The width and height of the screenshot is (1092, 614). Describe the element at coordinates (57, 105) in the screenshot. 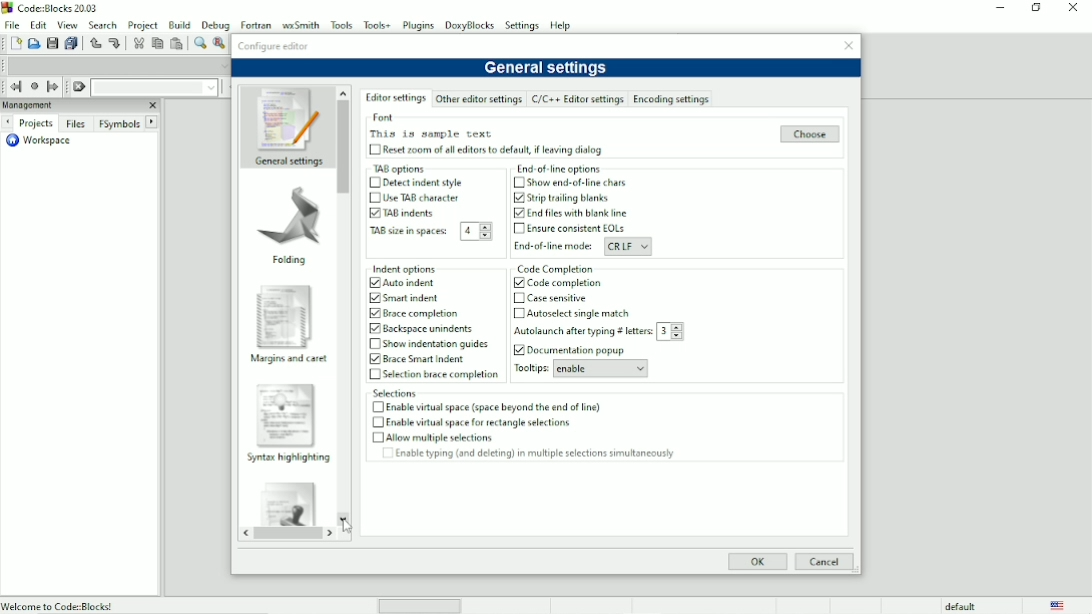

I see `Managment` at that location.